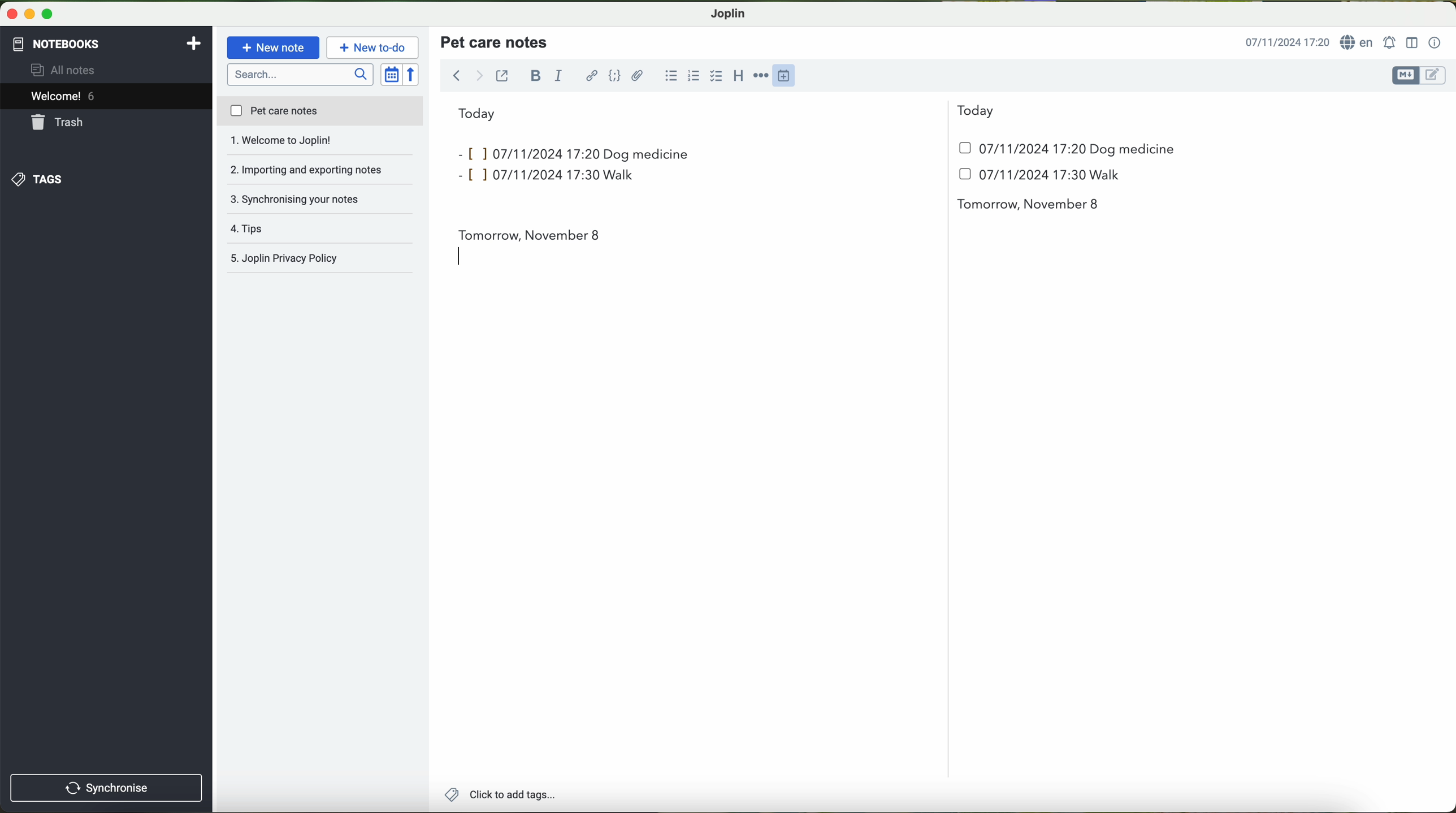 This screenshot has height=813, width=1456. I want to click on date and hour, so click(1013, 148).